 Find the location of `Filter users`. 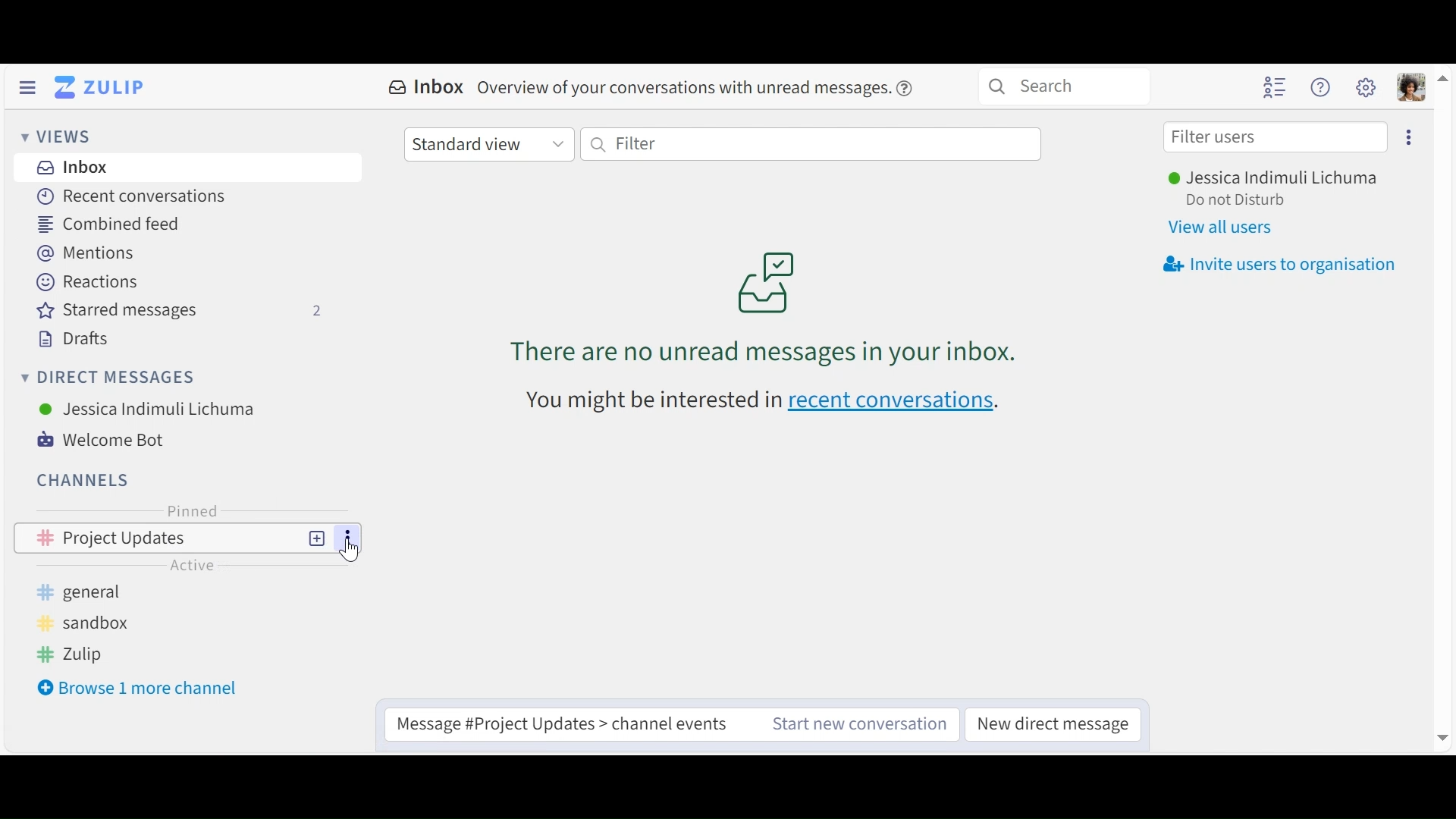

Filter users is located at coordinates (1276, 137).